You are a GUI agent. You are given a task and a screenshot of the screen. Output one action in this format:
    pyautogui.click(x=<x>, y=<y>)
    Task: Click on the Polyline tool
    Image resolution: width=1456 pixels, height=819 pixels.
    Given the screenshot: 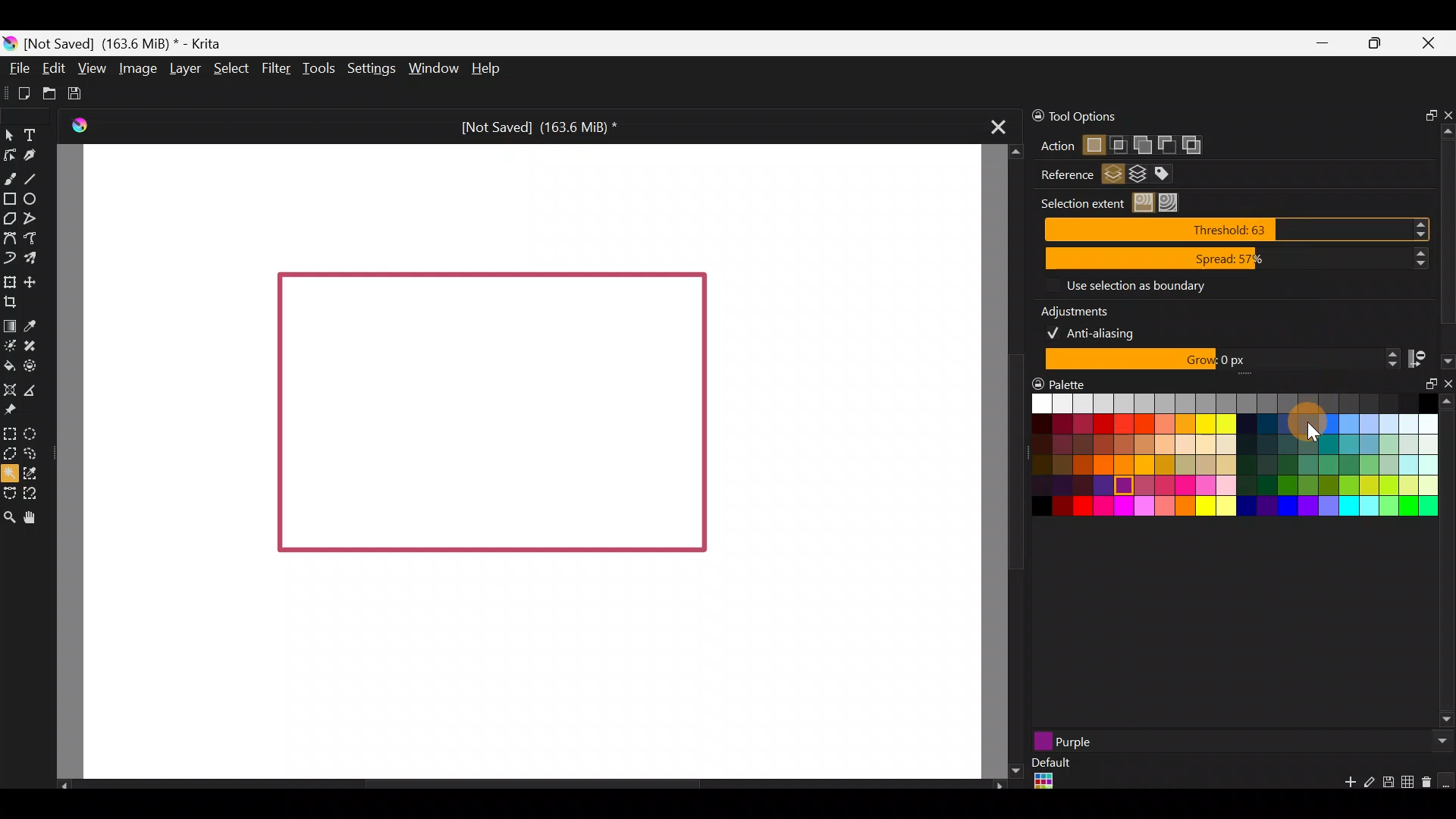 What is the action you would take?
    pyautogui.click(x=34, y=219)
    